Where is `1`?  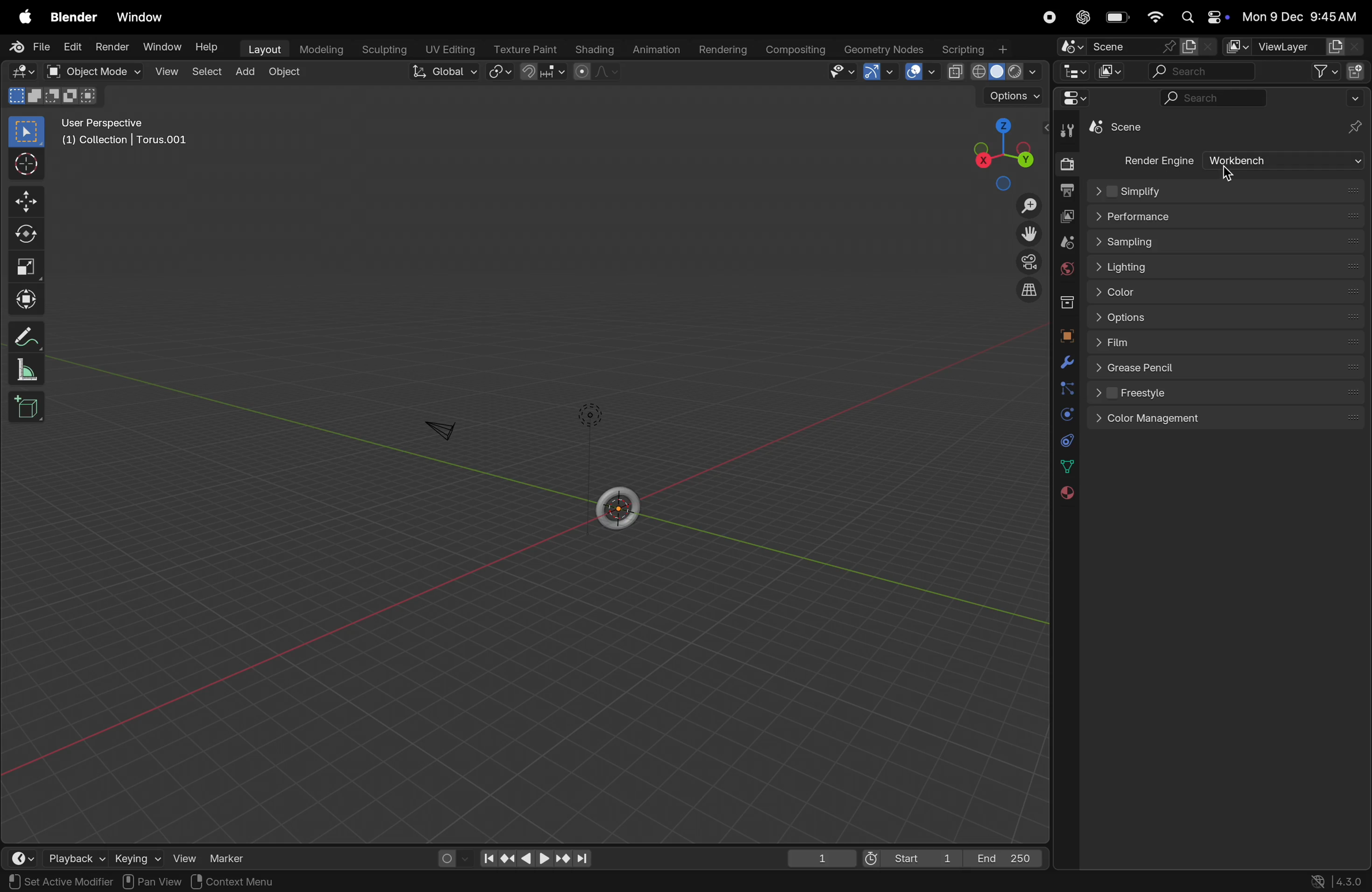 1 is located at coordinates (822, 860).